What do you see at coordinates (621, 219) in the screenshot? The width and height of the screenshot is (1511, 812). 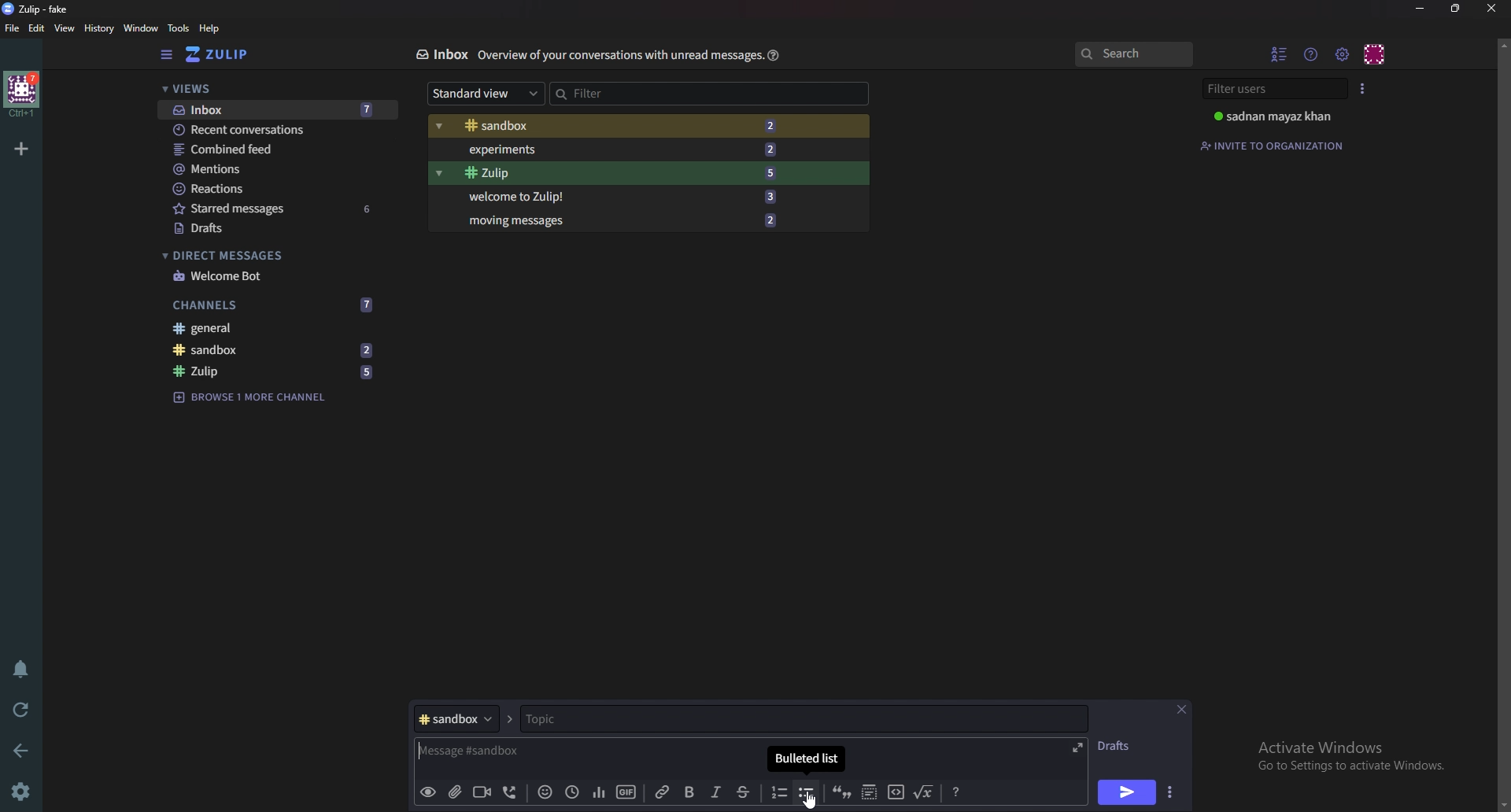 I see `Moving messages` at bounding box center [621, 219].